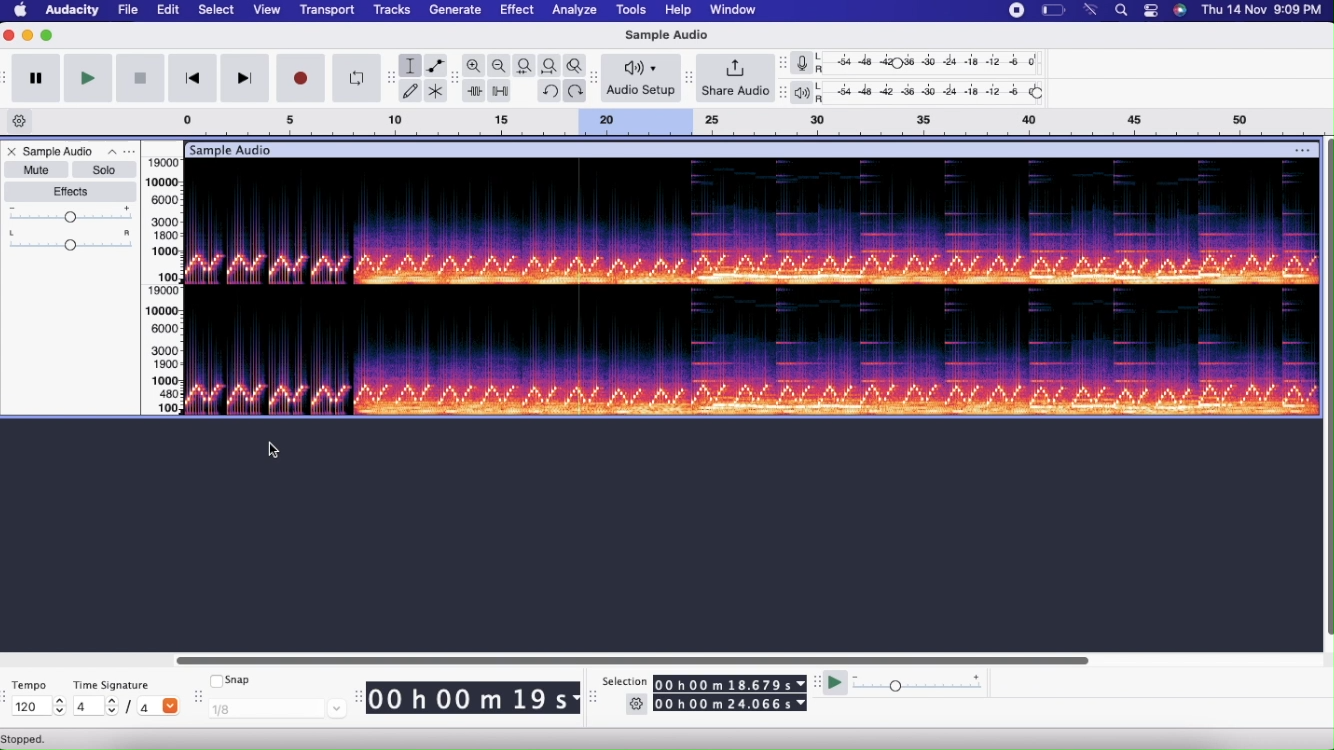 The image size is (1334, 750). What do you see at coordinates (456, 11) in the screenshot?
I see `Generate` at bounding box center [456, 11].